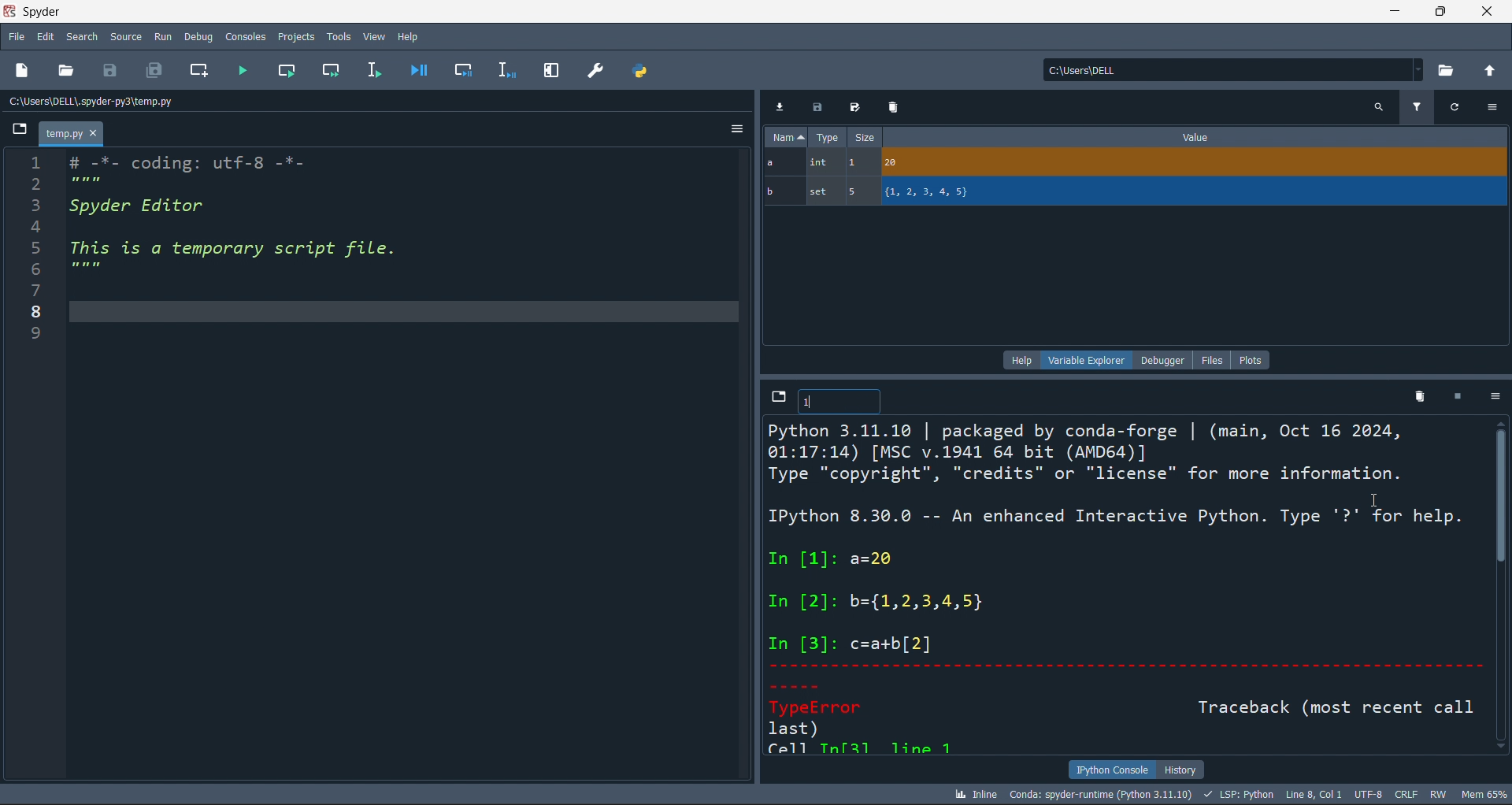 The image size is (1512, 805). What do you see at coordinates (828, 139) in the screenshot?
I see `type` at bounding box center [828, 139].